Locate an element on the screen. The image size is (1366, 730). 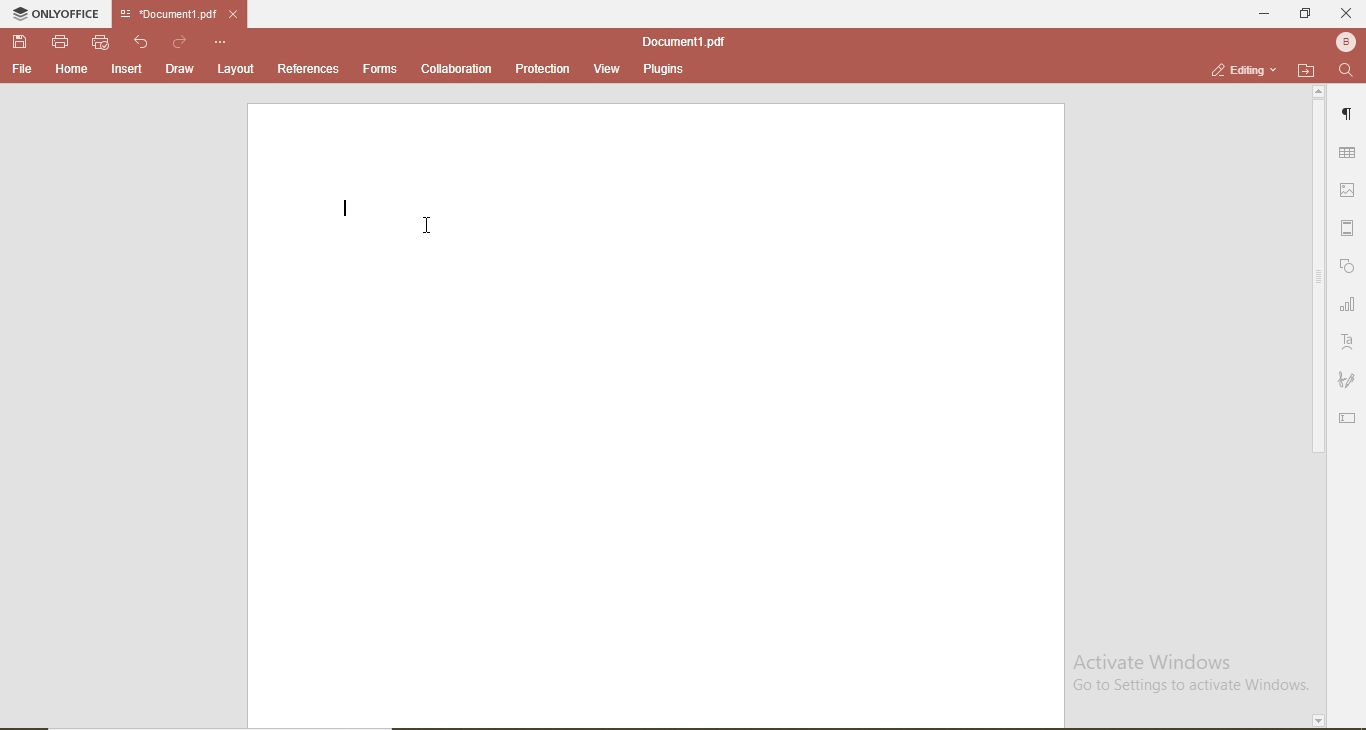
protection is located at coordinates (544, 68).